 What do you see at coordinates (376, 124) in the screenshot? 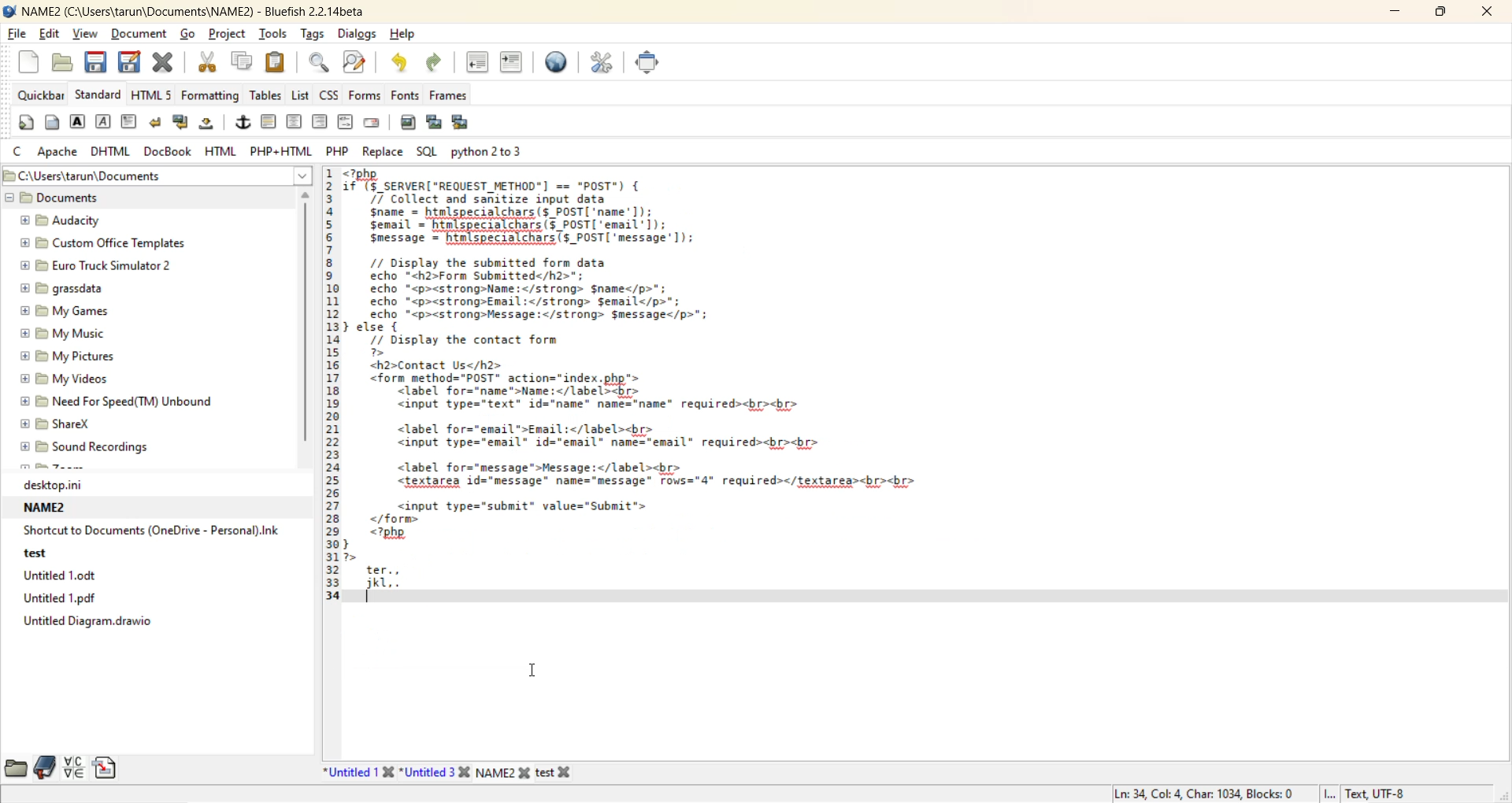
I see `email` at bounding box center [376, 124].